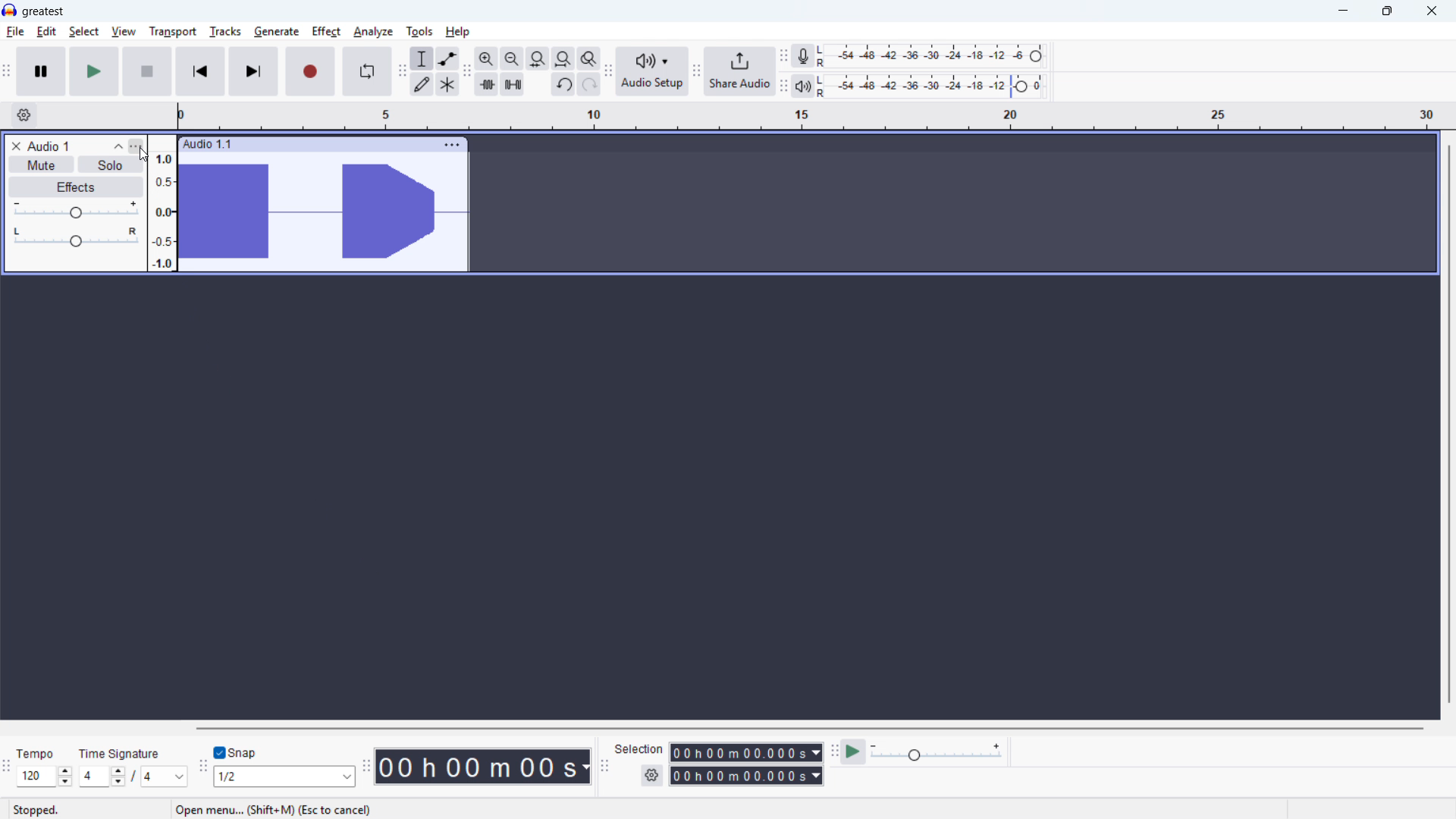 Image resolution: width=1456 pixels, height=819 pixels. Describe the element at coordinates (235, 752) in the screenshot. I see `Toggle snap ` at that location.